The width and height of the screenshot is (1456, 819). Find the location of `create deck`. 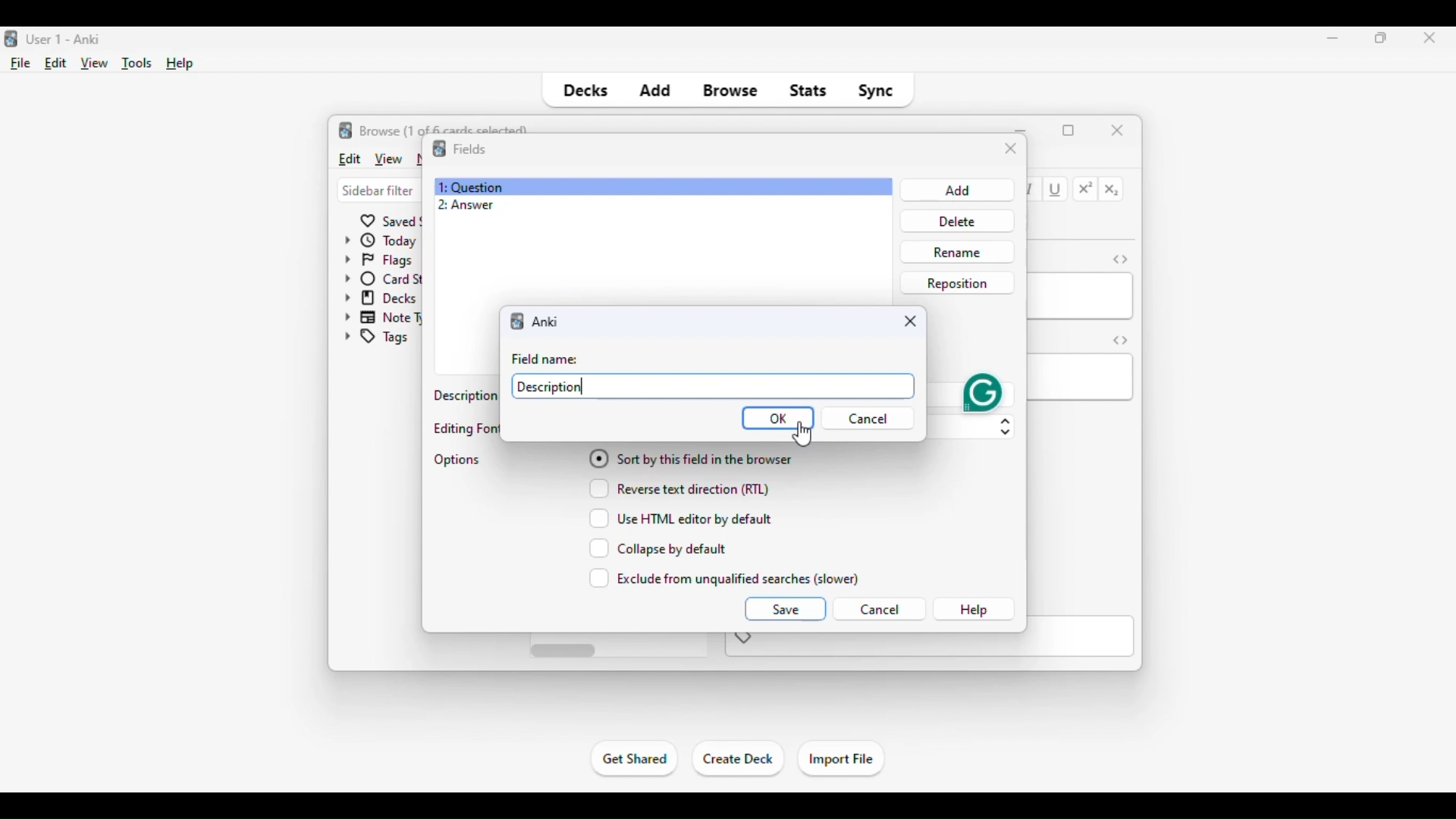

create deck is located at coordinates (739, 759).